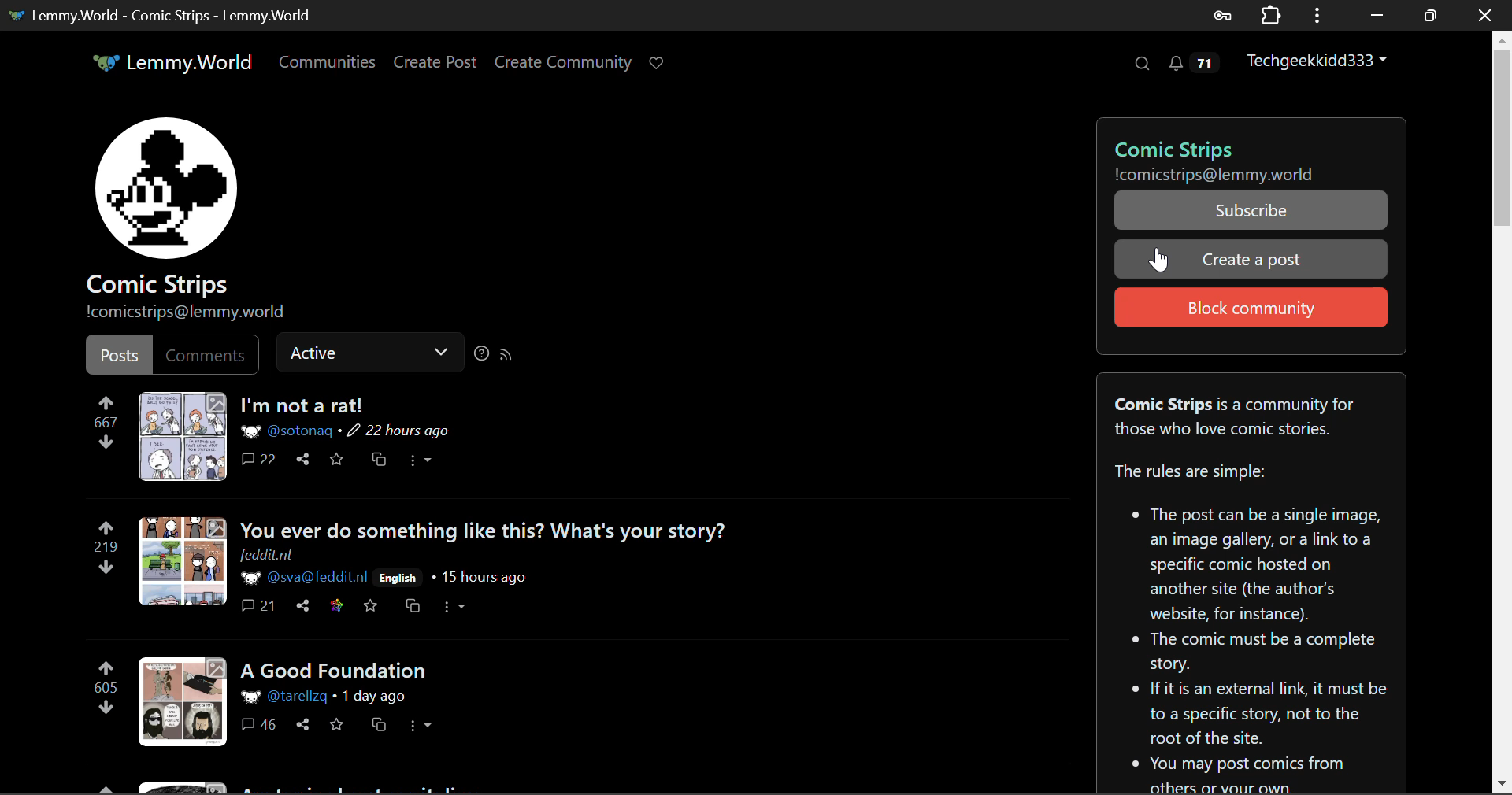  I want to click on Comic Strips, so click(1247, 146).